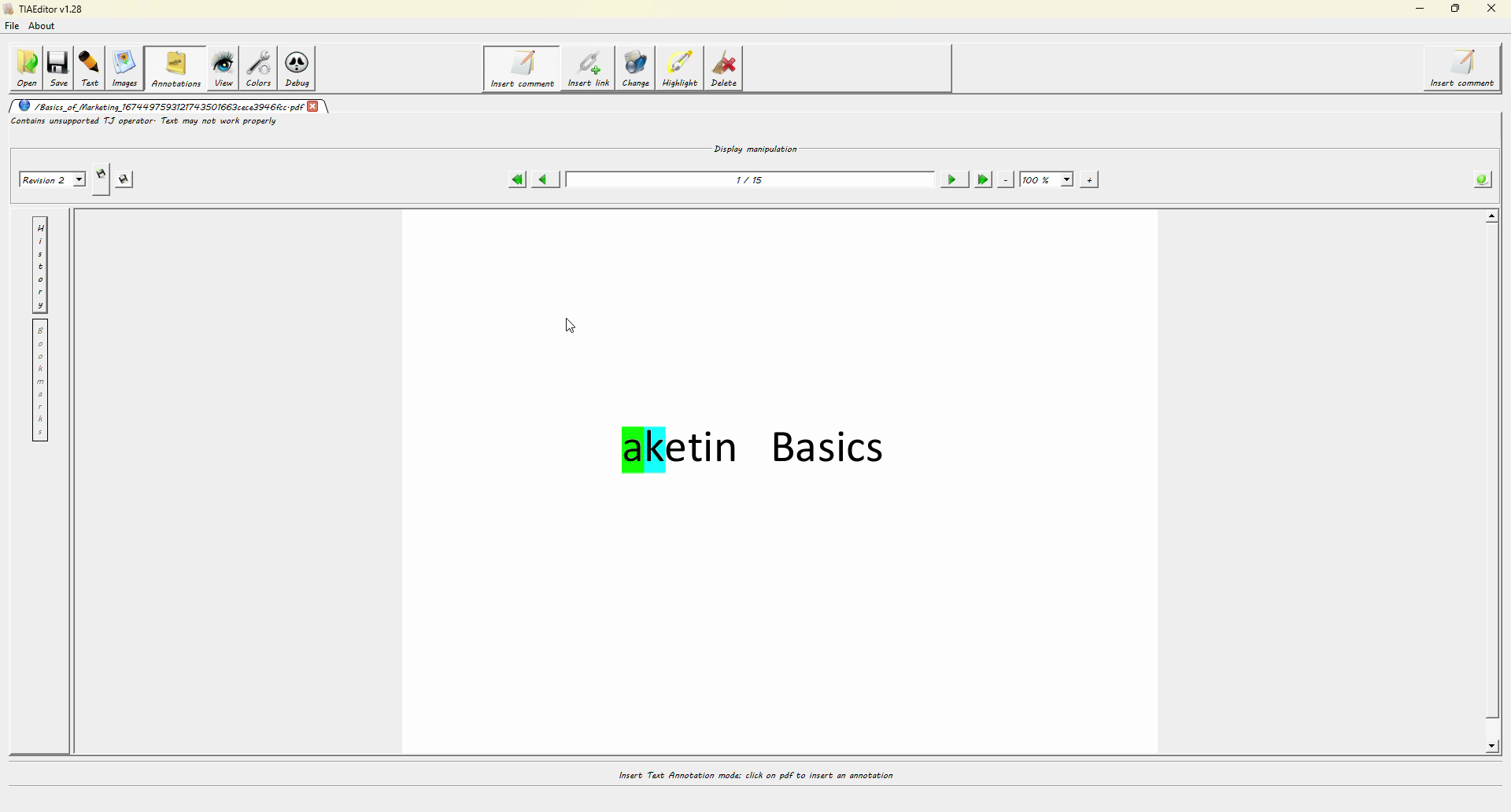  What do you see at coordinates (1417, 9) in the screenshot?
I see `minimize` at bounding box center [1417, 9].